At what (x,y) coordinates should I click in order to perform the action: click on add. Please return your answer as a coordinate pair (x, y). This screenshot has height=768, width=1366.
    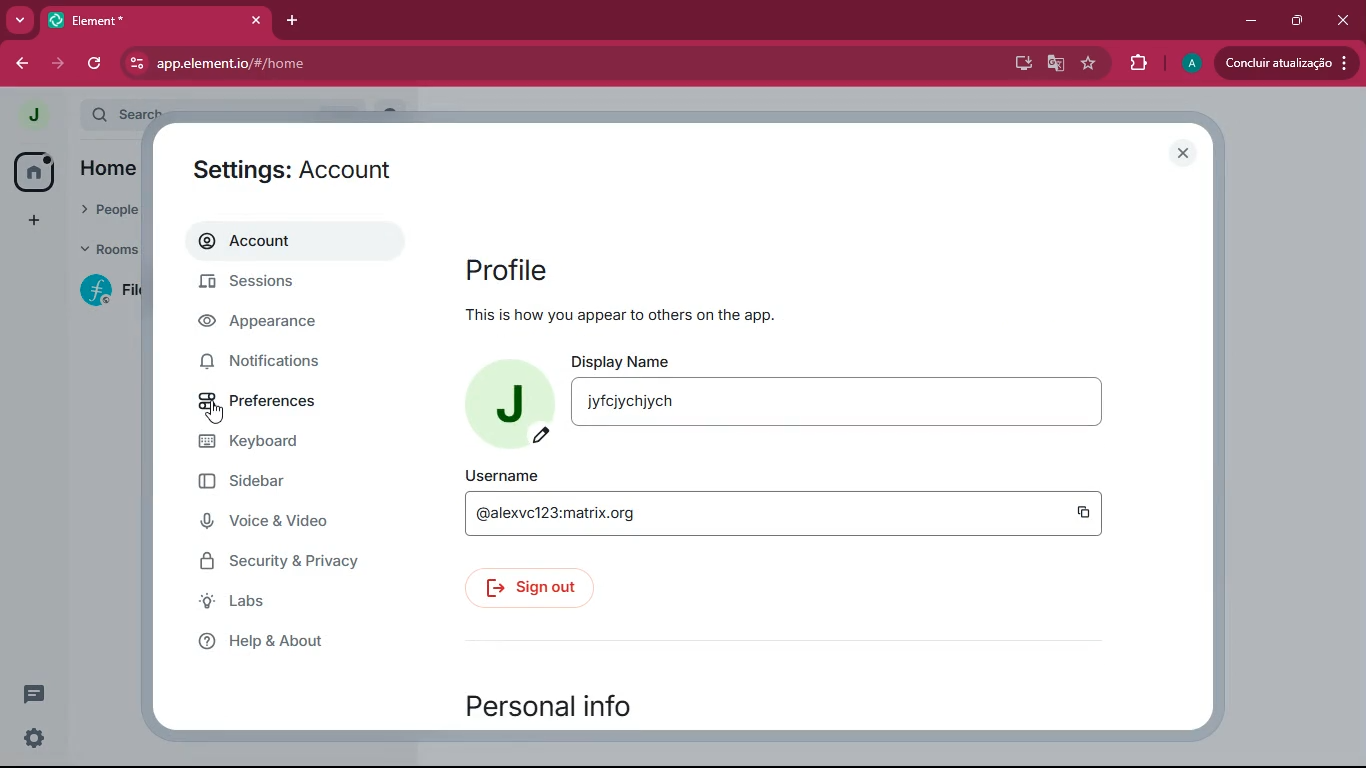
    Looking at the image, I should click on (34, 222).